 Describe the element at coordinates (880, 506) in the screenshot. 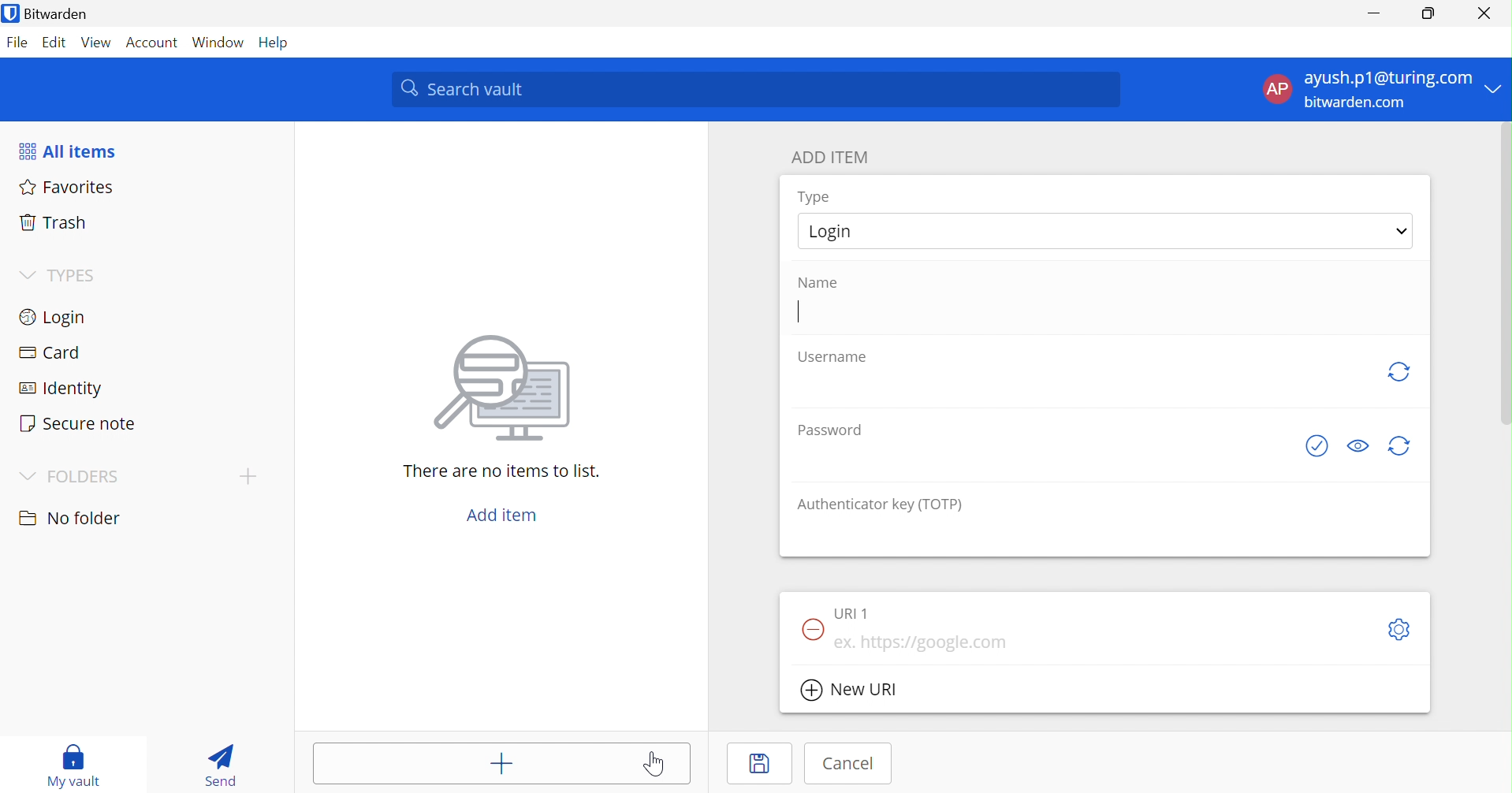

I see `Authentication key (TOTP)` at that location.